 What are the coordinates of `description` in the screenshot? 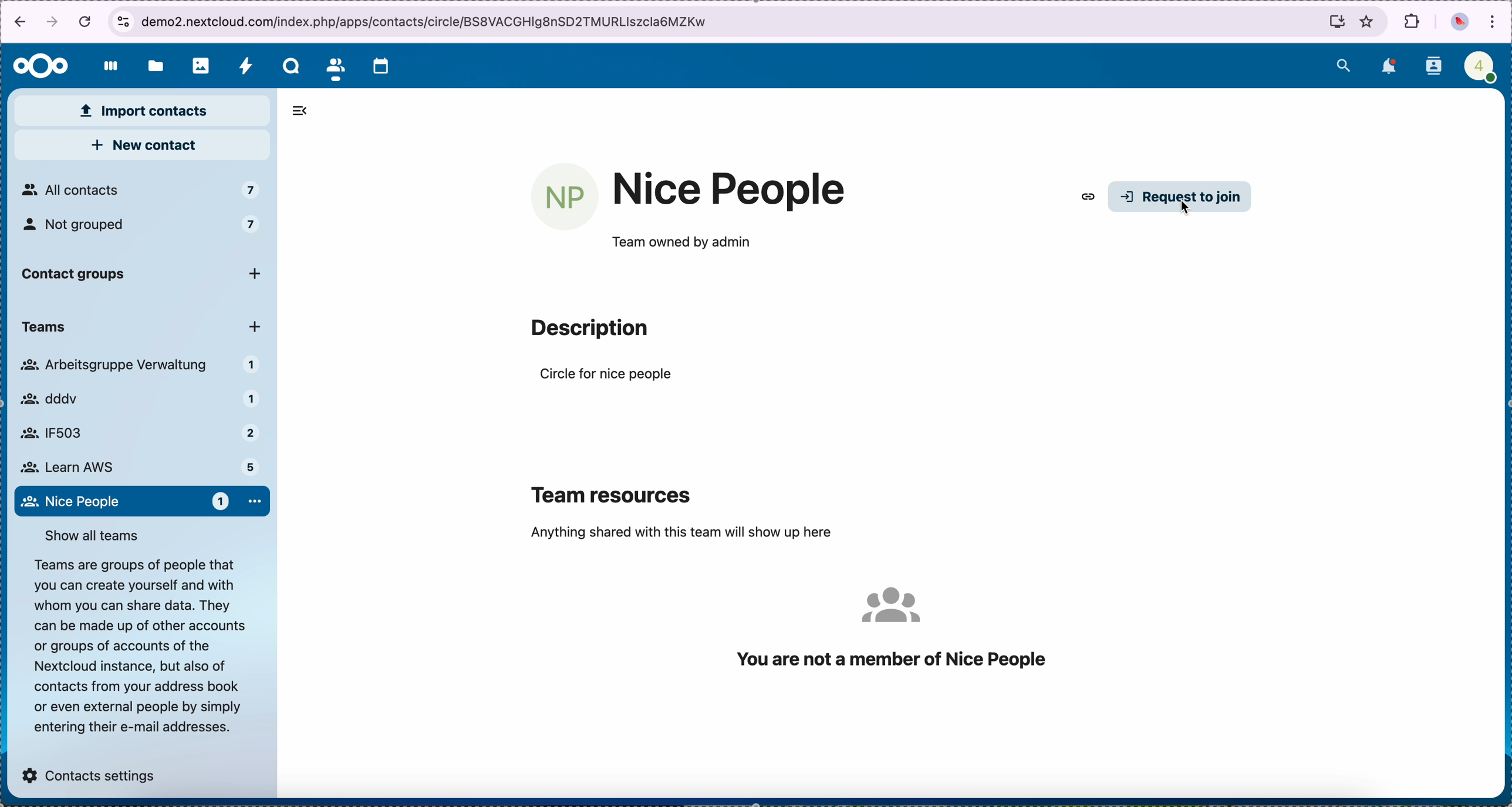 It's located at (136, 645).